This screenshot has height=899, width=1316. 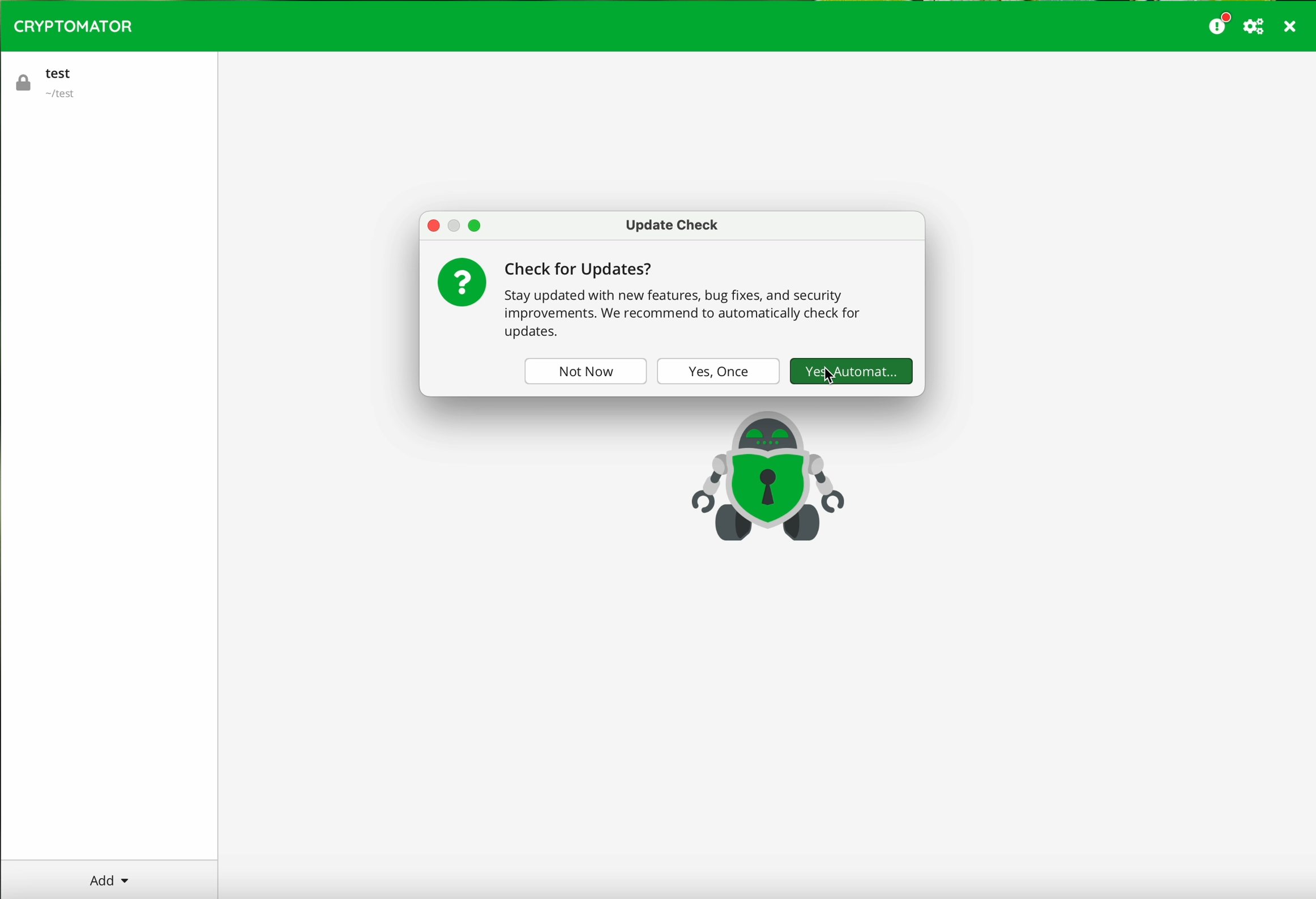 What do you see at coordinates (73, 27) in the screenshot?
I see `Cryptomator logo` at bounding box center [73, 27].